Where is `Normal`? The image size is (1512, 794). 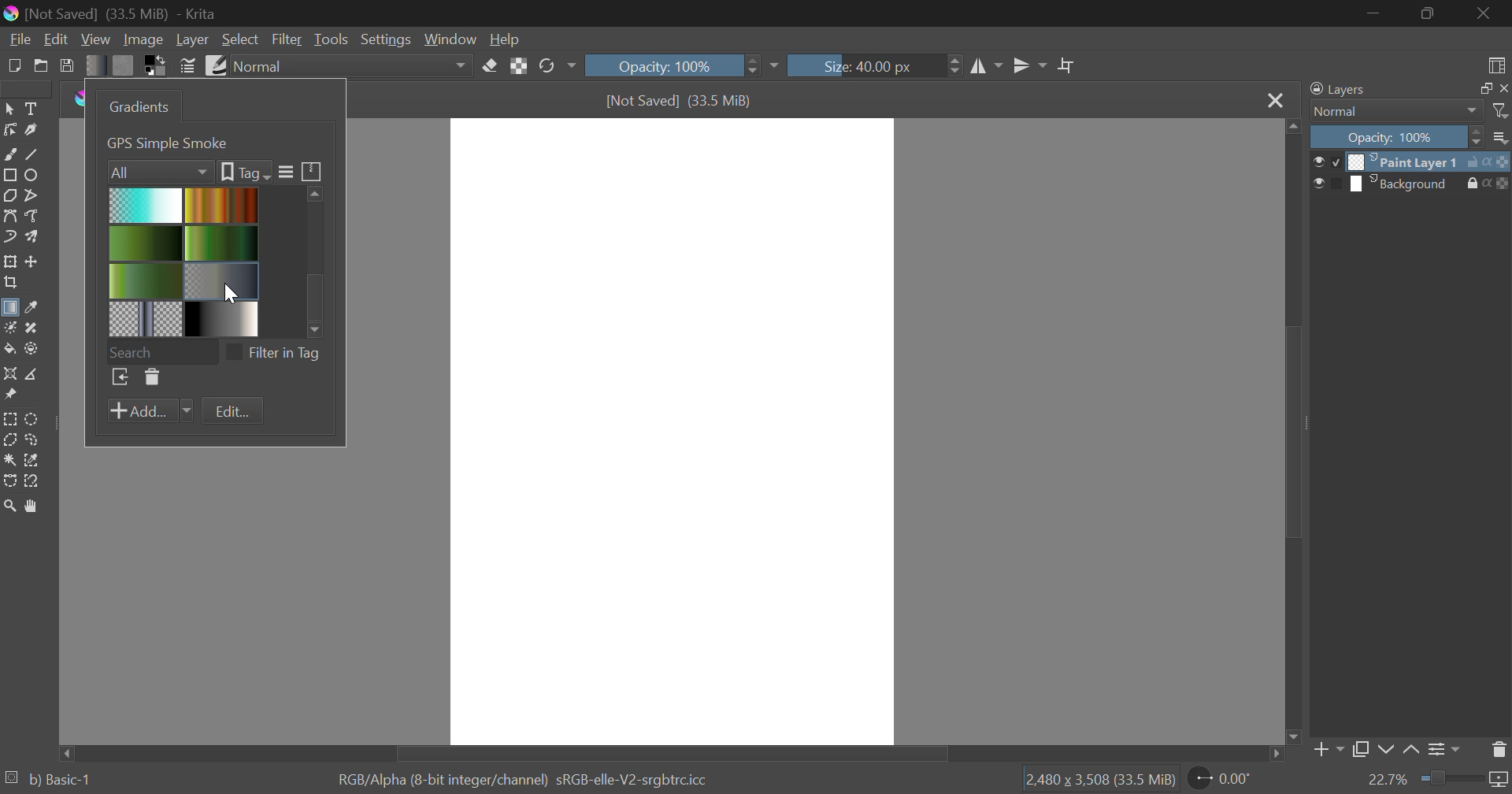
Normal is located at coordinates (354, 66).